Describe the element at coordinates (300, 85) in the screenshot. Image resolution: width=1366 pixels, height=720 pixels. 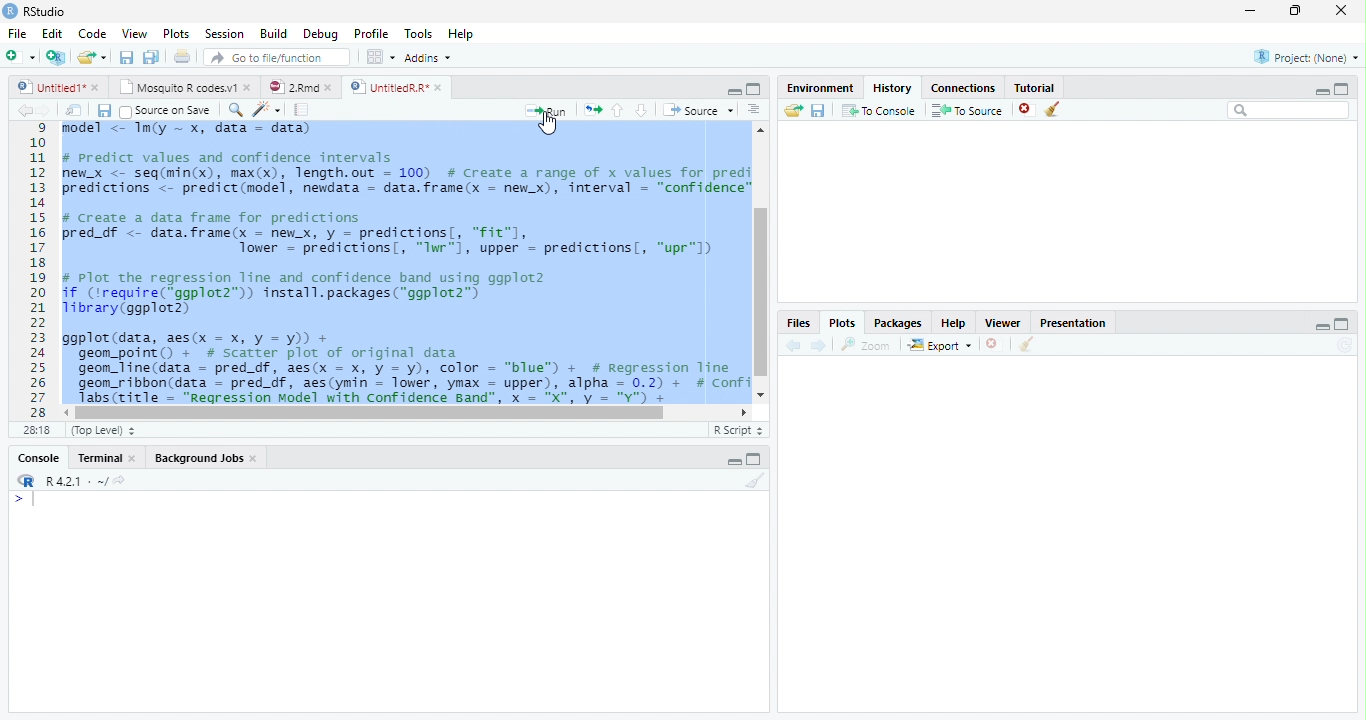
I see `2 Rmd` at that location.